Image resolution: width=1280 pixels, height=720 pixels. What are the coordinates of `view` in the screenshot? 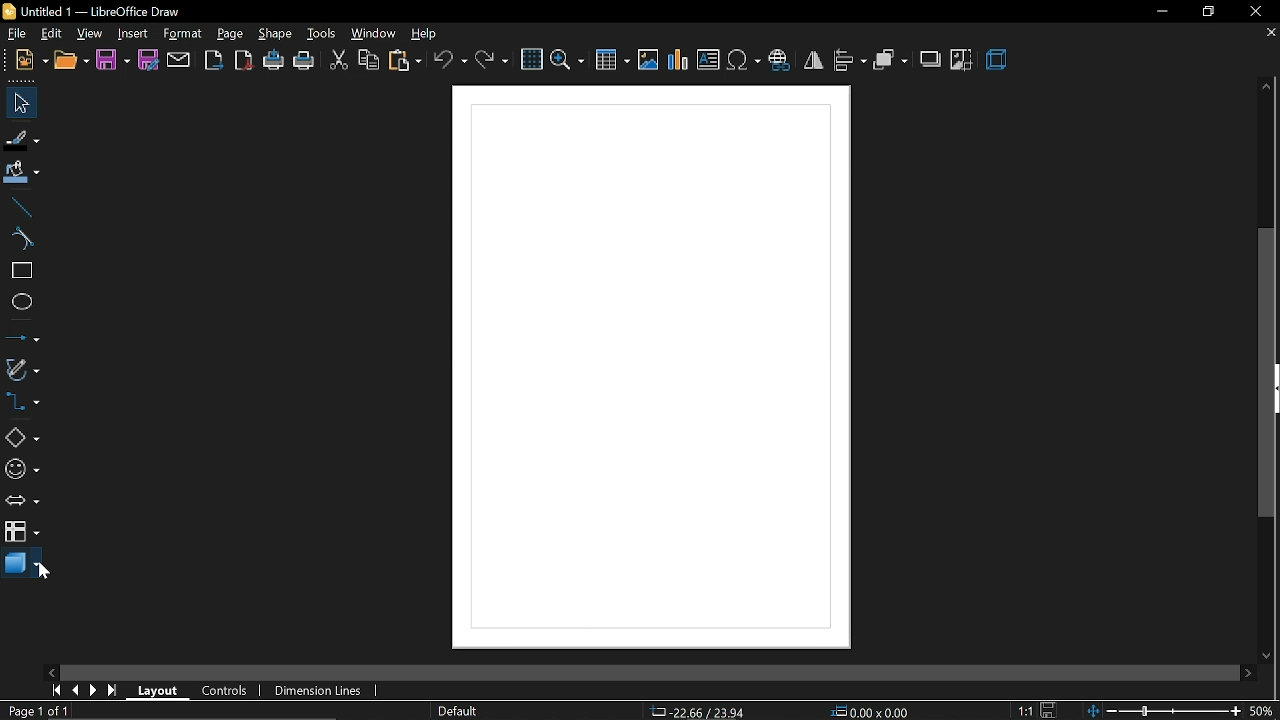 It's located at (90, 32).